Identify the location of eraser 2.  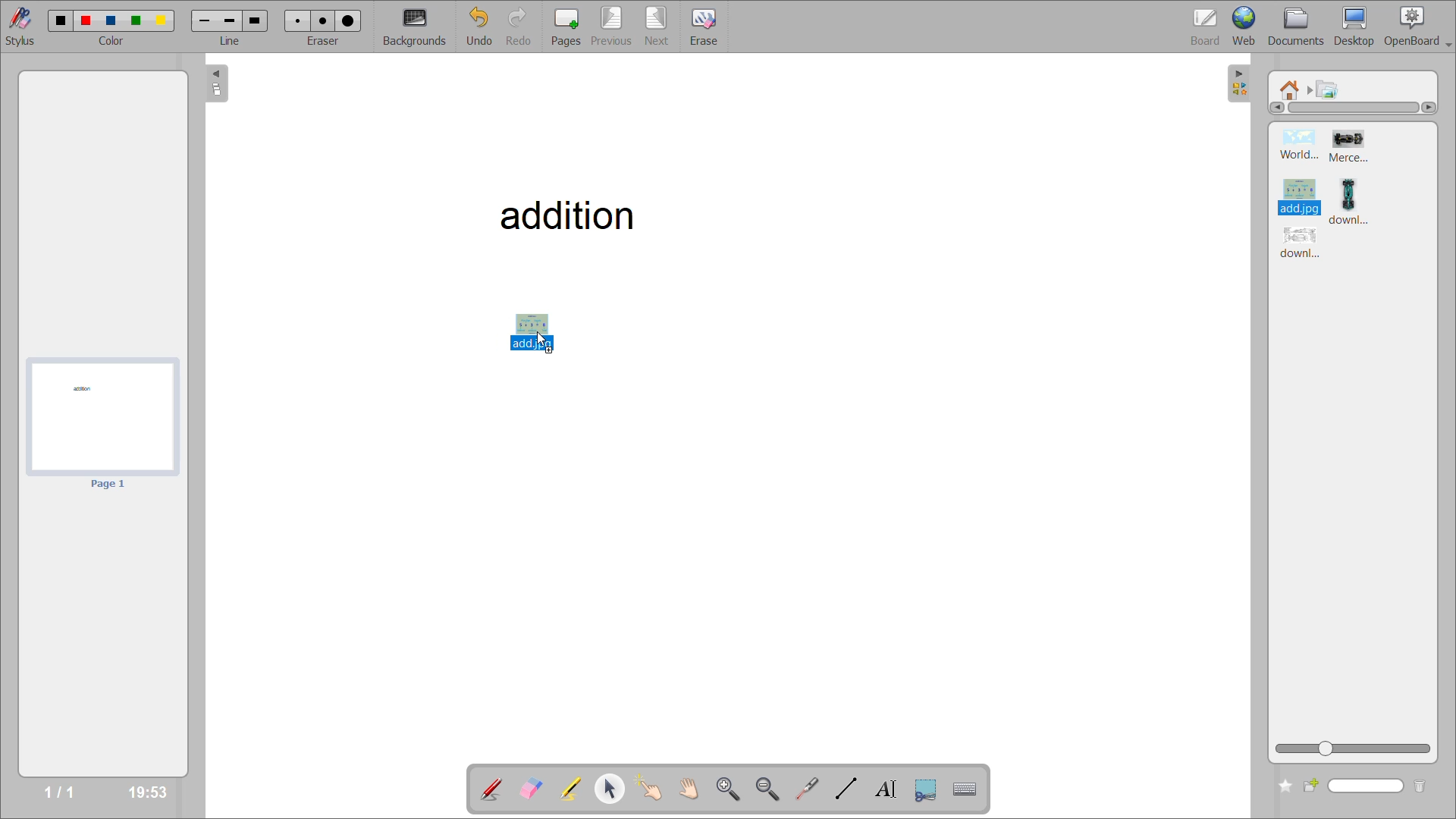
(319, 20).